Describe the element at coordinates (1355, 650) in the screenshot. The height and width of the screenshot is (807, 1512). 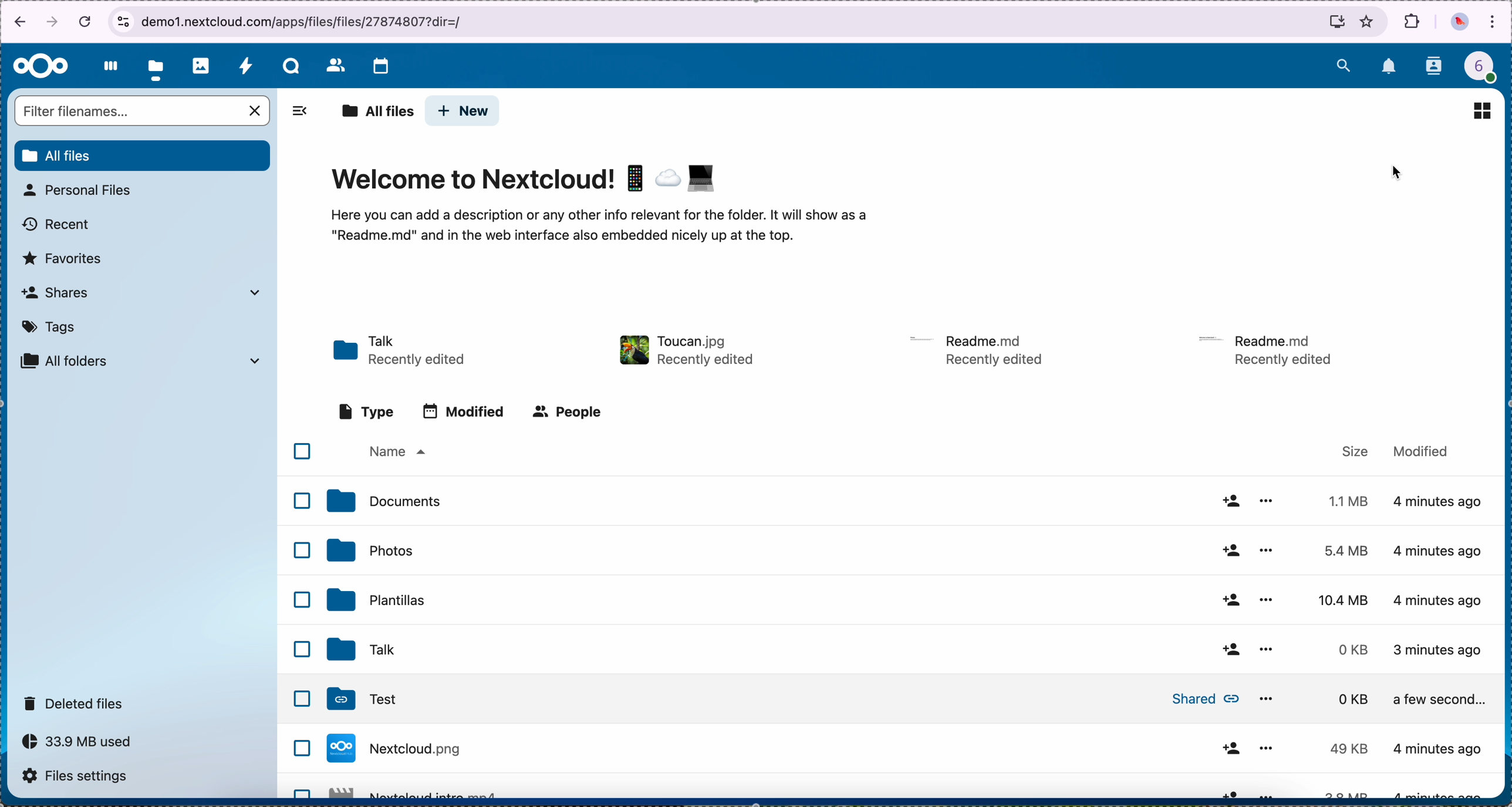
I see `0 KB` at that location.